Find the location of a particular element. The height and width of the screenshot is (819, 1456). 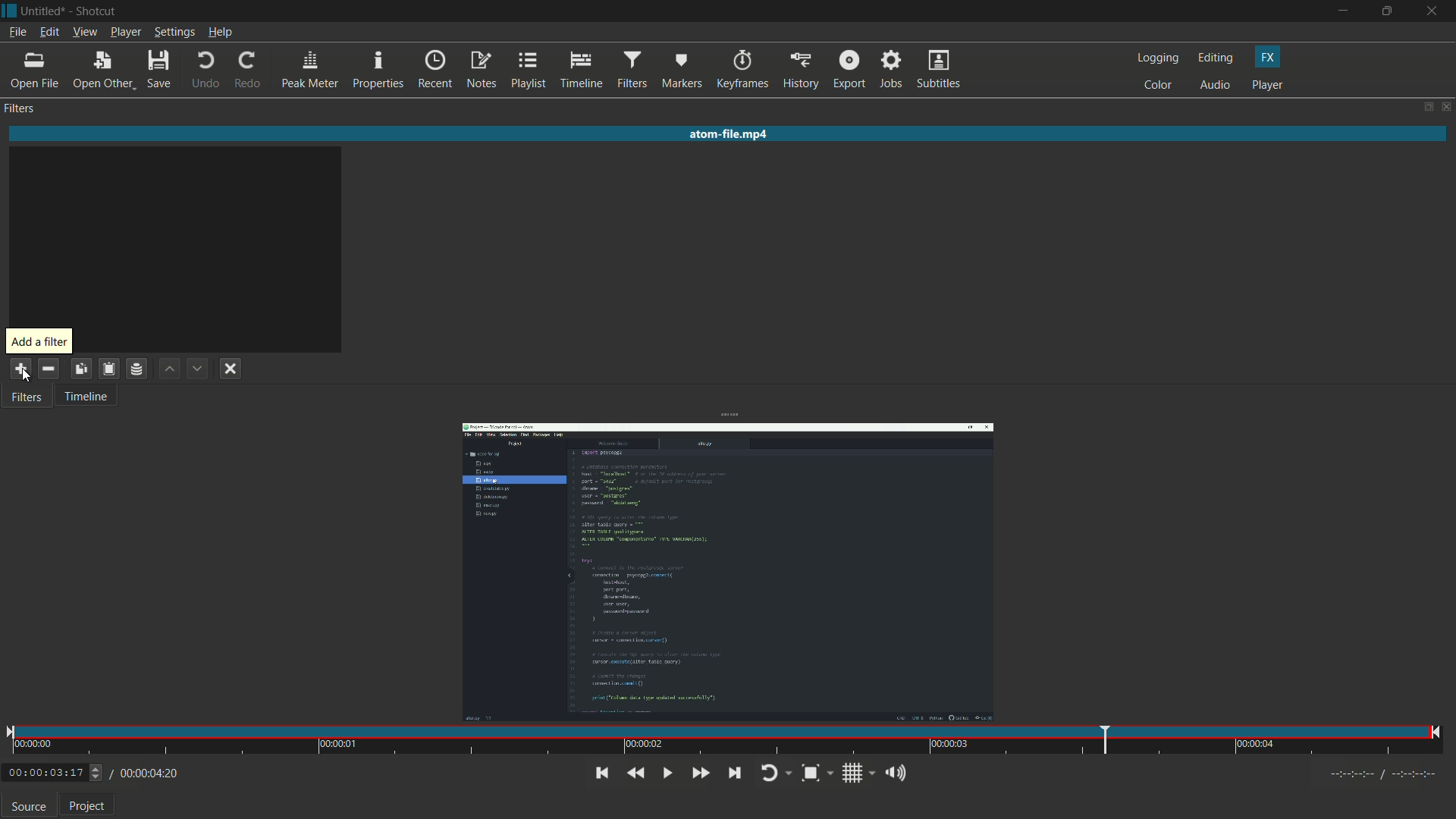

toggle play or pause is located at coordinates (665, 773).